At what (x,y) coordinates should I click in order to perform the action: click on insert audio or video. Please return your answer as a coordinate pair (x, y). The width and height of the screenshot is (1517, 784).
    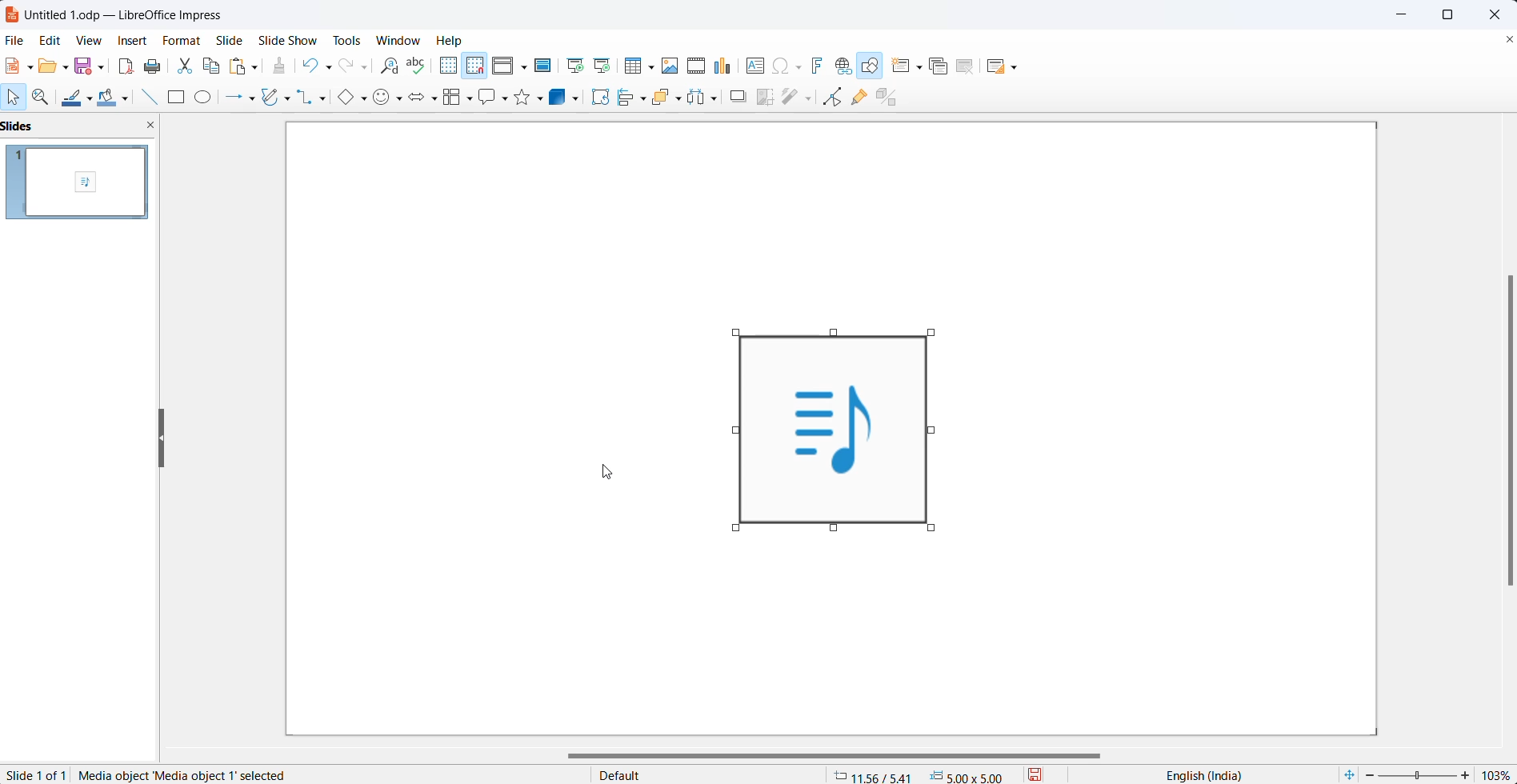
    Looking at the image, I should click on (695, 64).